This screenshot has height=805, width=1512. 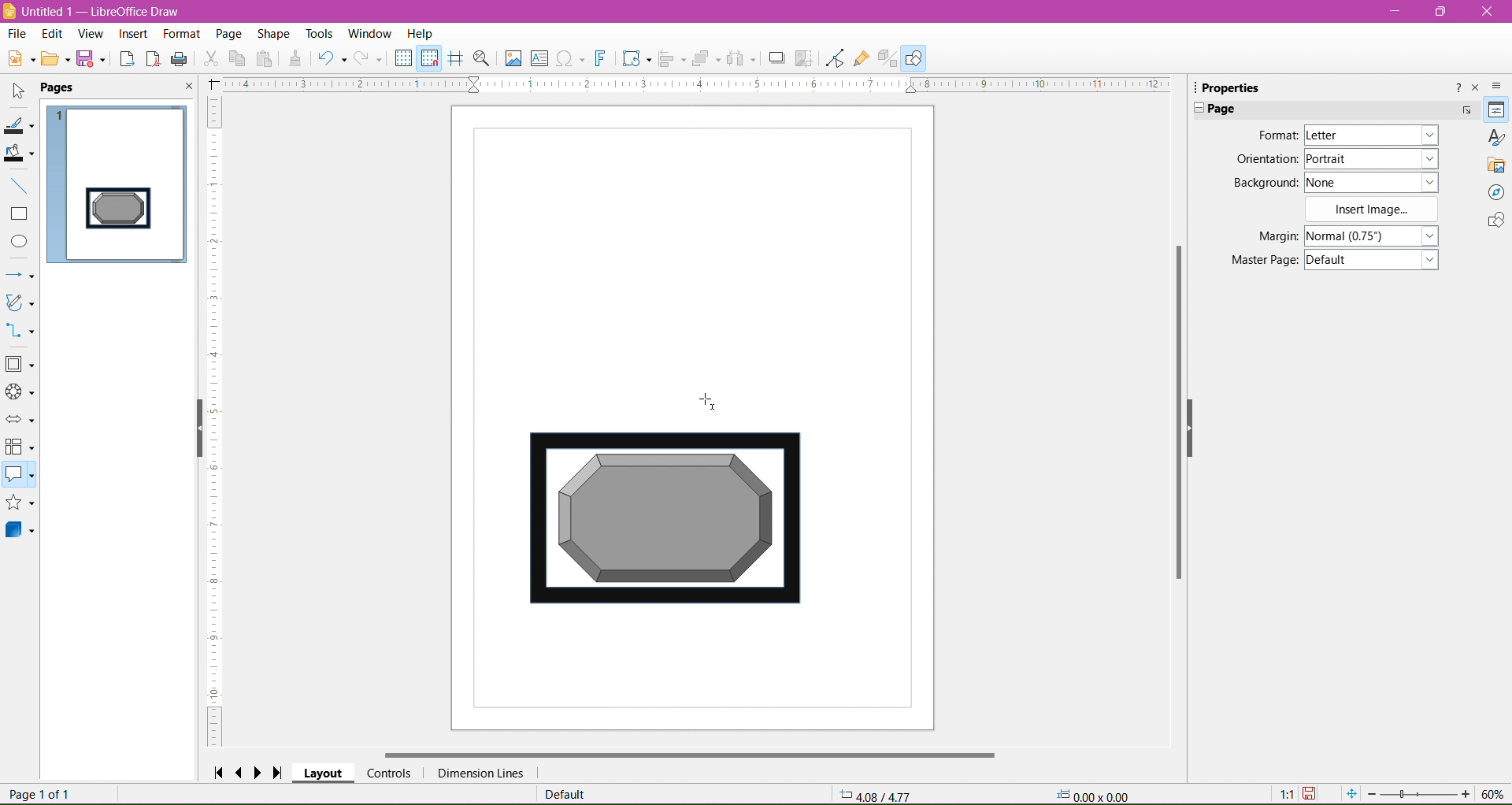 I want to click on Application Logo, so click(x=9, y=10).